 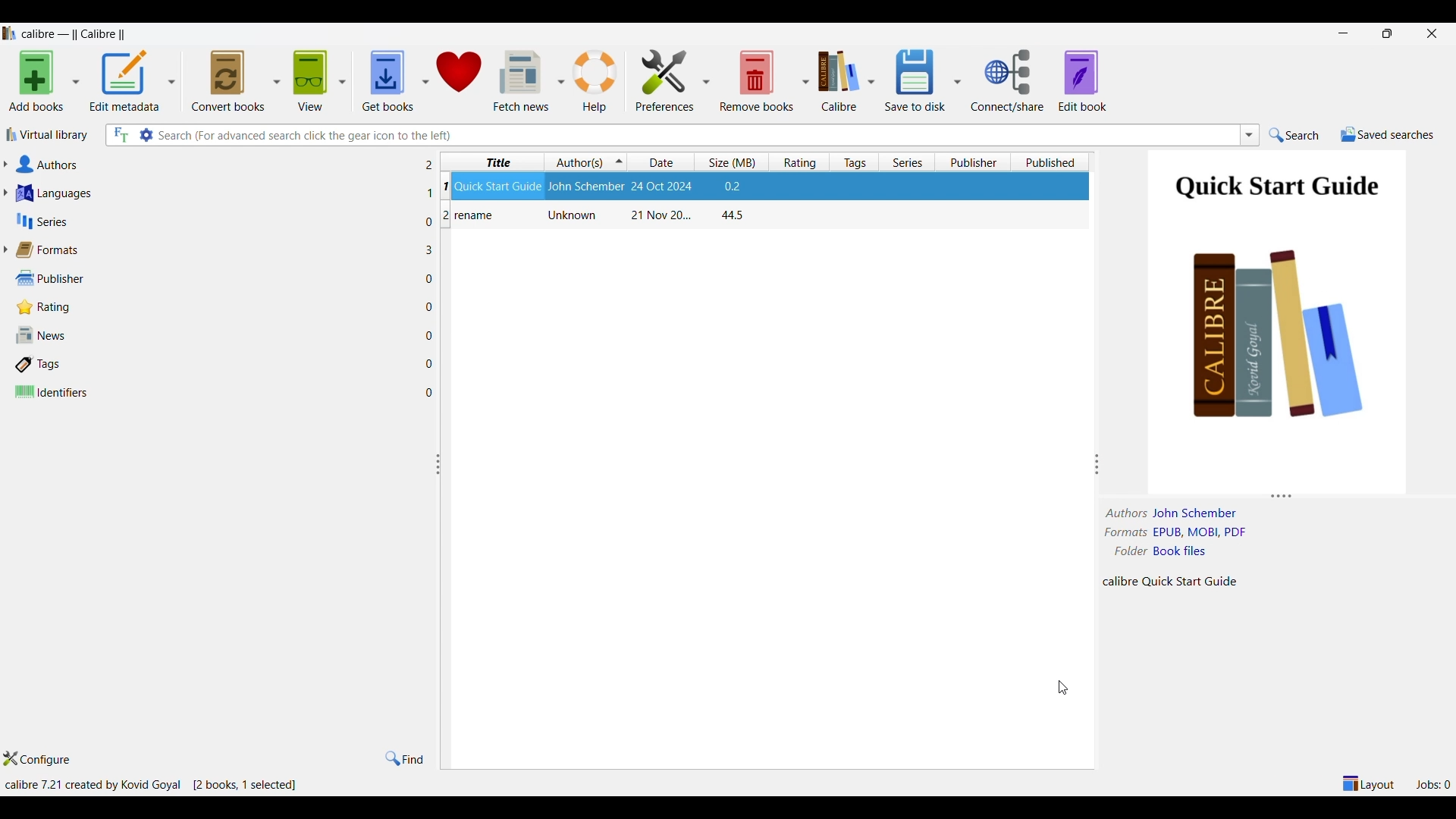 What do you see at coordinates (443, 560) in the screenshot?
I see `Change width of panels attached to this line` at bounding box center [443, 560].